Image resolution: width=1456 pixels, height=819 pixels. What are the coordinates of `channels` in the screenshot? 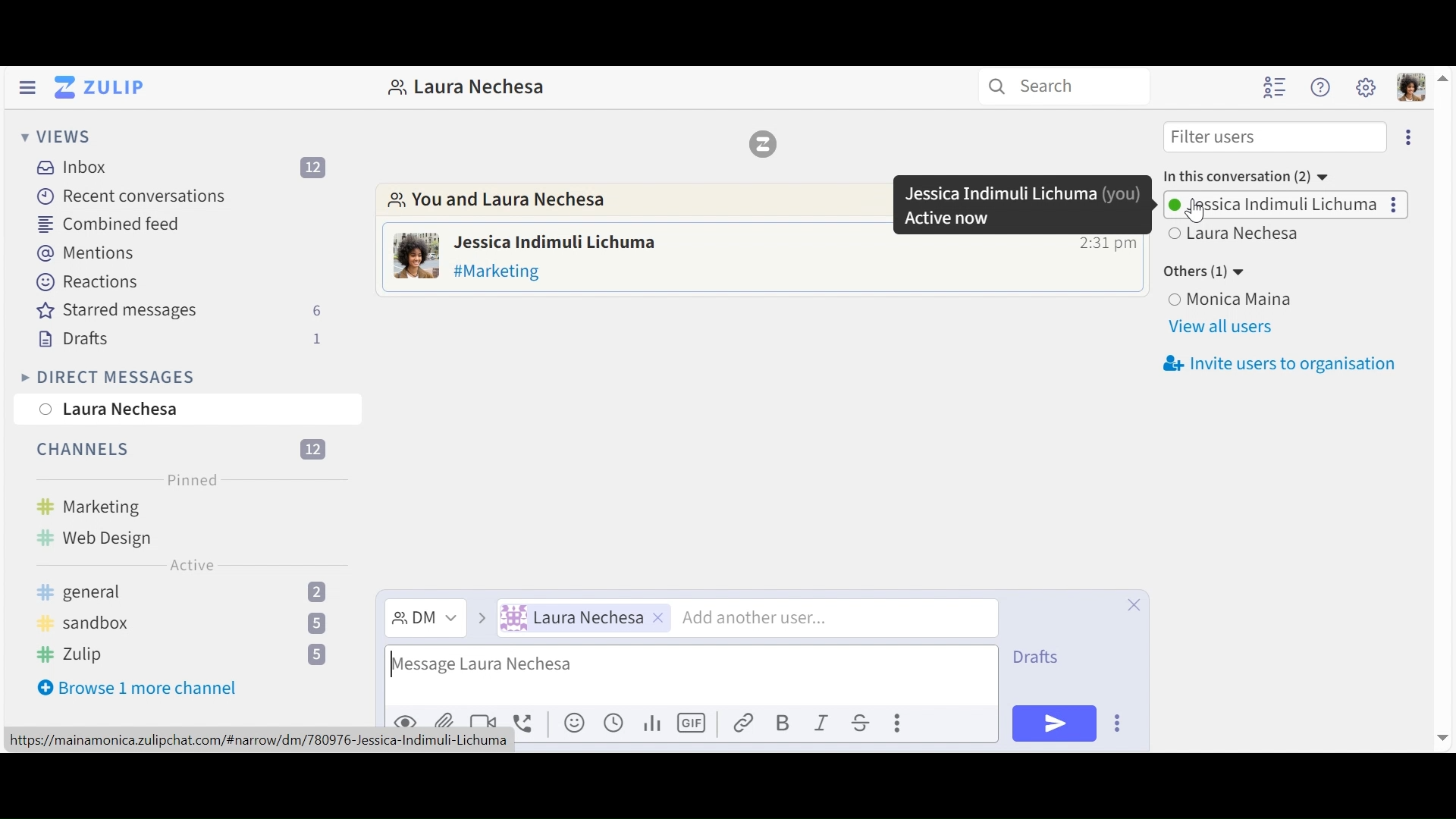 It's located at (176, 449).